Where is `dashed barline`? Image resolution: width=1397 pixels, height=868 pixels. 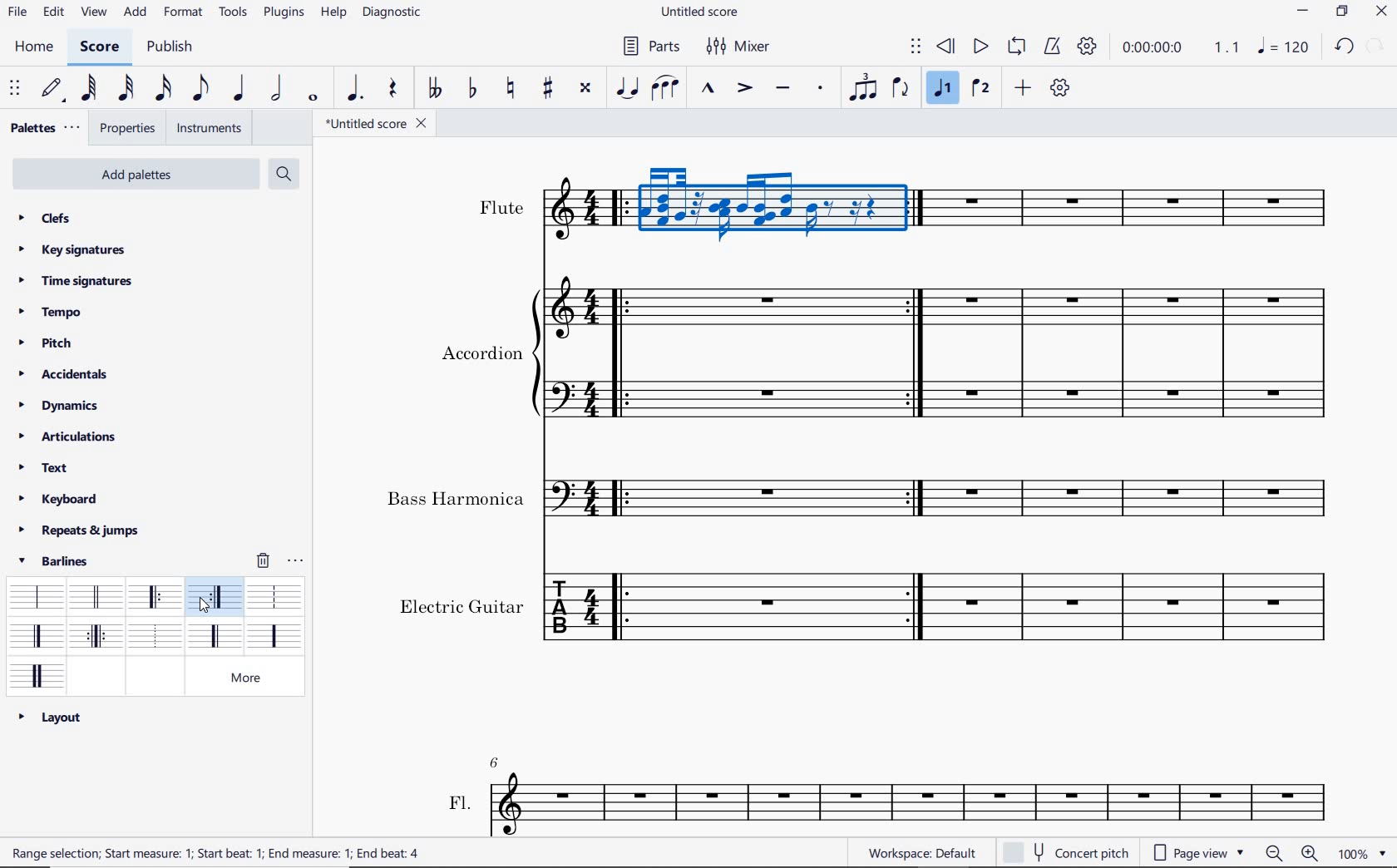 dashed barline is located at coordinates (154, 638).